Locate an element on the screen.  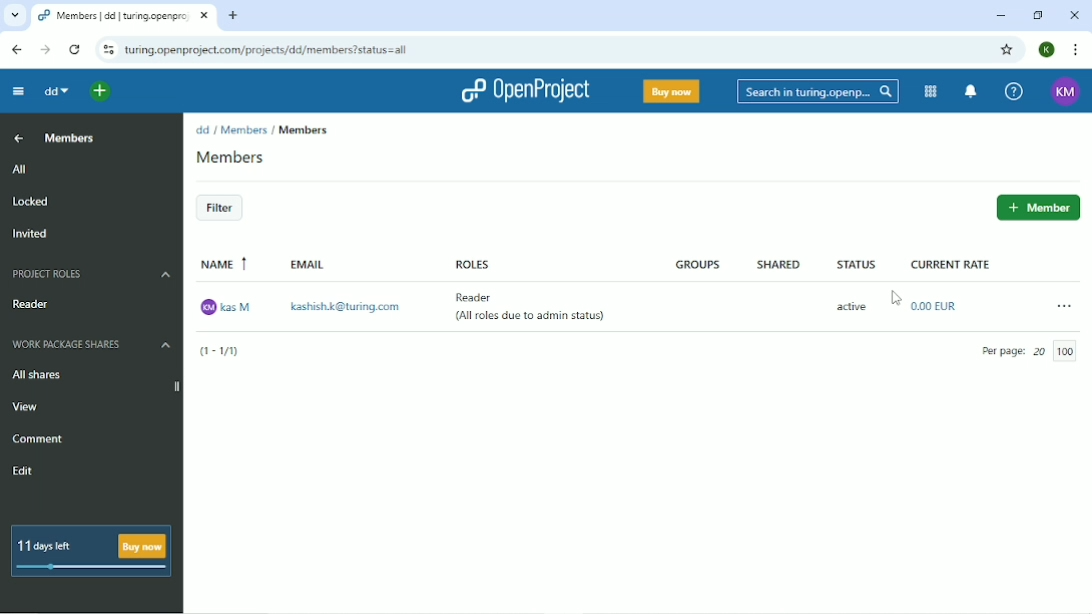
Current tab is located at coordinates (123, 15).